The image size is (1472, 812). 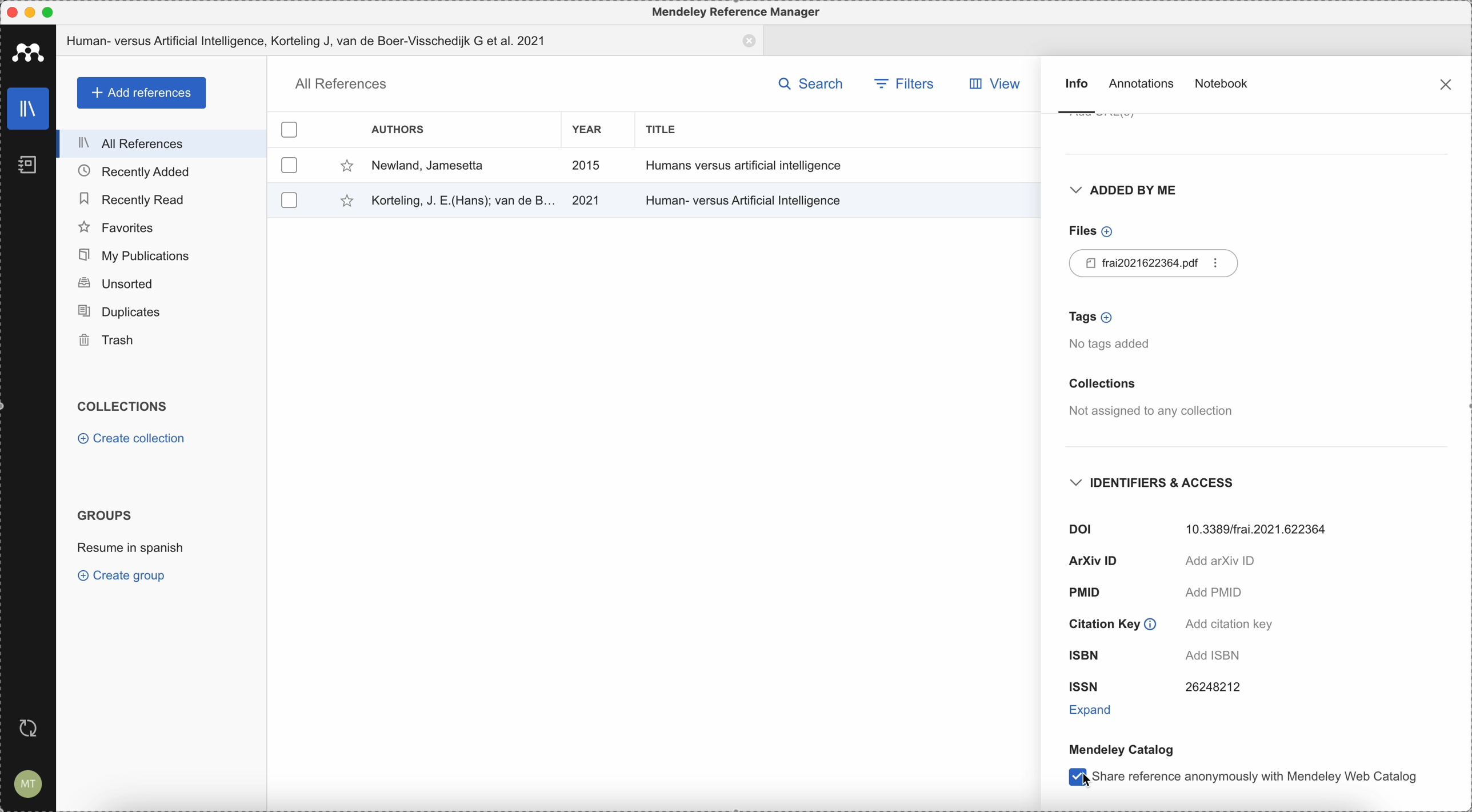 What do you see at coordinates (587, 130) in the screenshot?
I see `year` at bounding box center [587, 130].